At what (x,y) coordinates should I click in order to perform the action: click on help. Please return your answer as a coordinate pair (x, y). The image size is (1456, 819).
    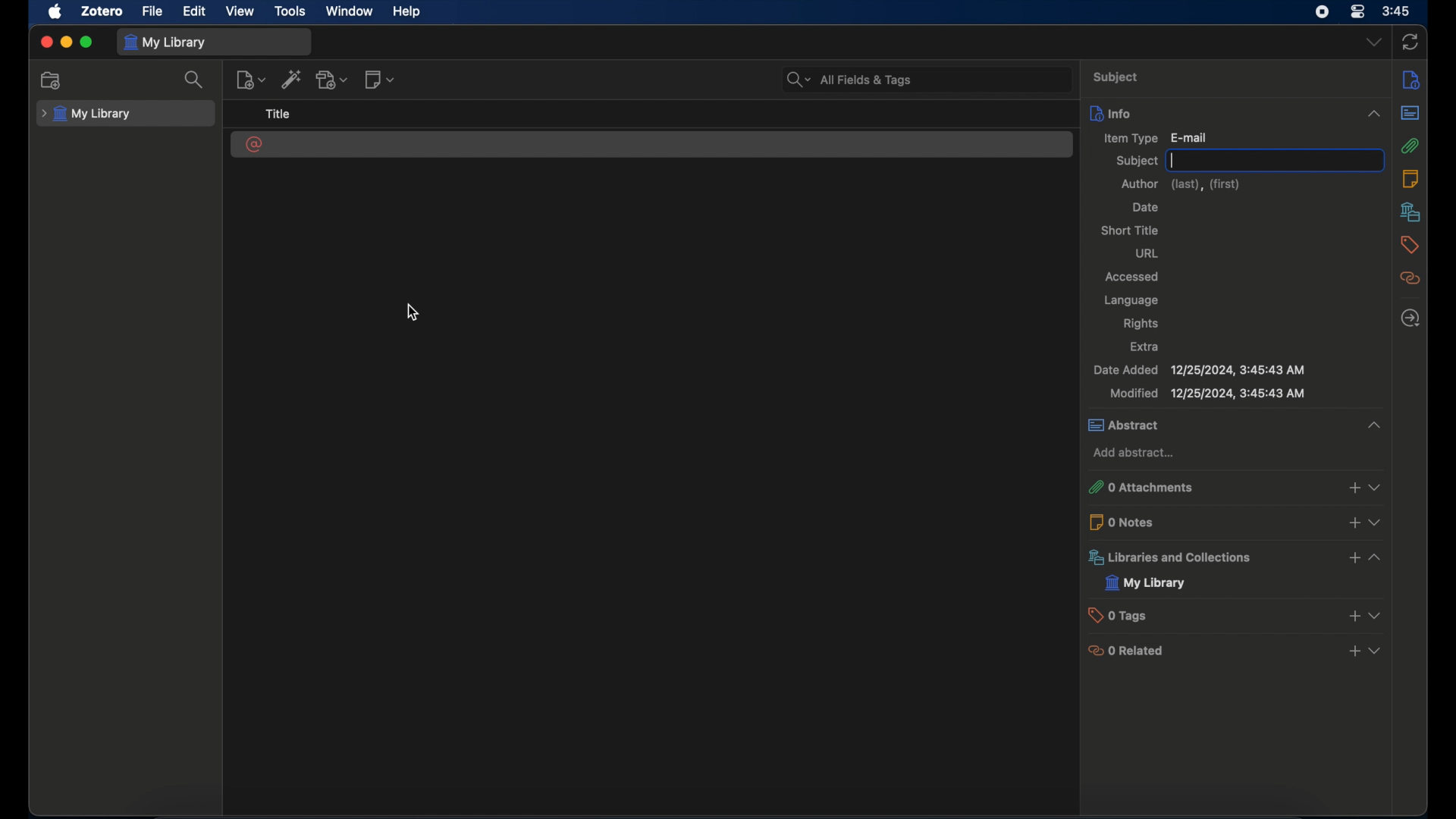
    Looking at the image, I should click on (406, 12).